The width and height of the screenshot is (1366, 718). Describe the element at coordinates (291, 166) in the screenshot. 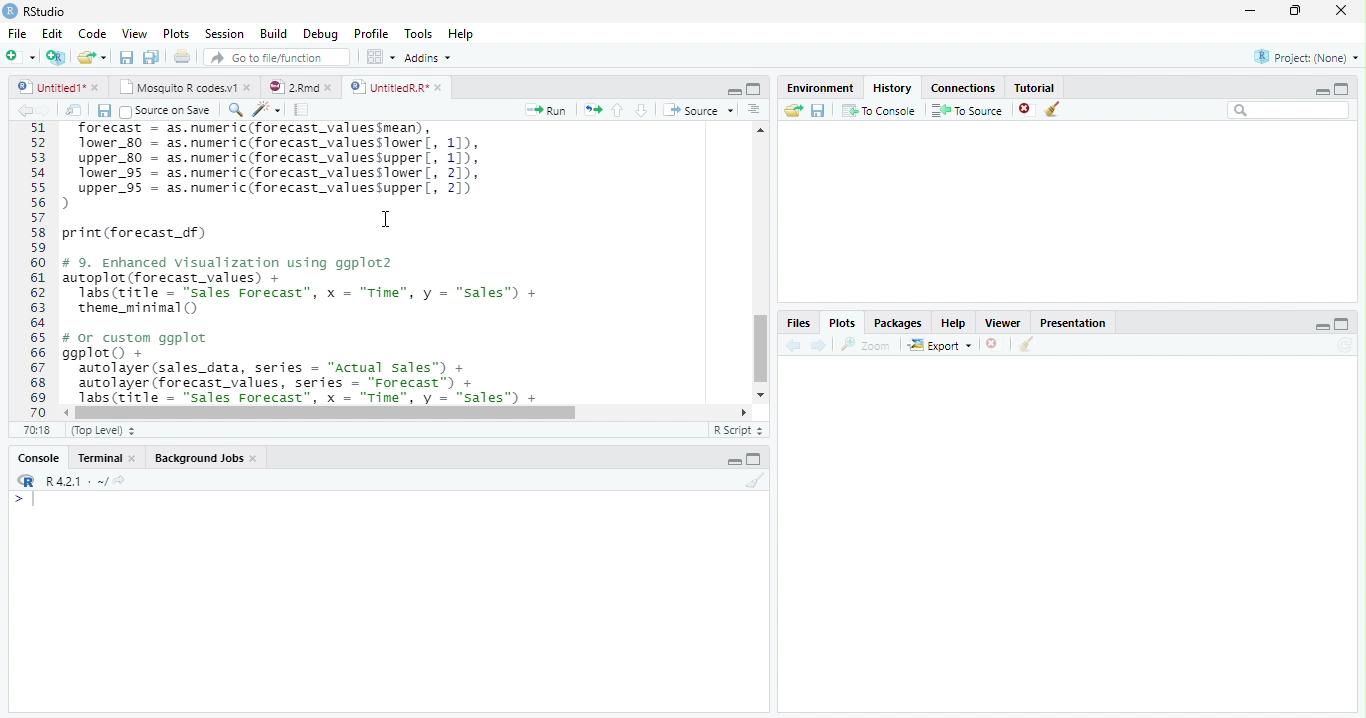

I see `forecast = as.numeric(forecast_values$mean),

Tower_80 = as. numeric(forecast_valuesSlower[, 11),

upper_80 = as. numeric (forecast_valuesSupper[, 11,

Tower_95 = as. numeric(forecast_valuesSlower[, 21),

upper_95 = as. numeric (forecast_valuessupper[, 21)
b}` at that location.